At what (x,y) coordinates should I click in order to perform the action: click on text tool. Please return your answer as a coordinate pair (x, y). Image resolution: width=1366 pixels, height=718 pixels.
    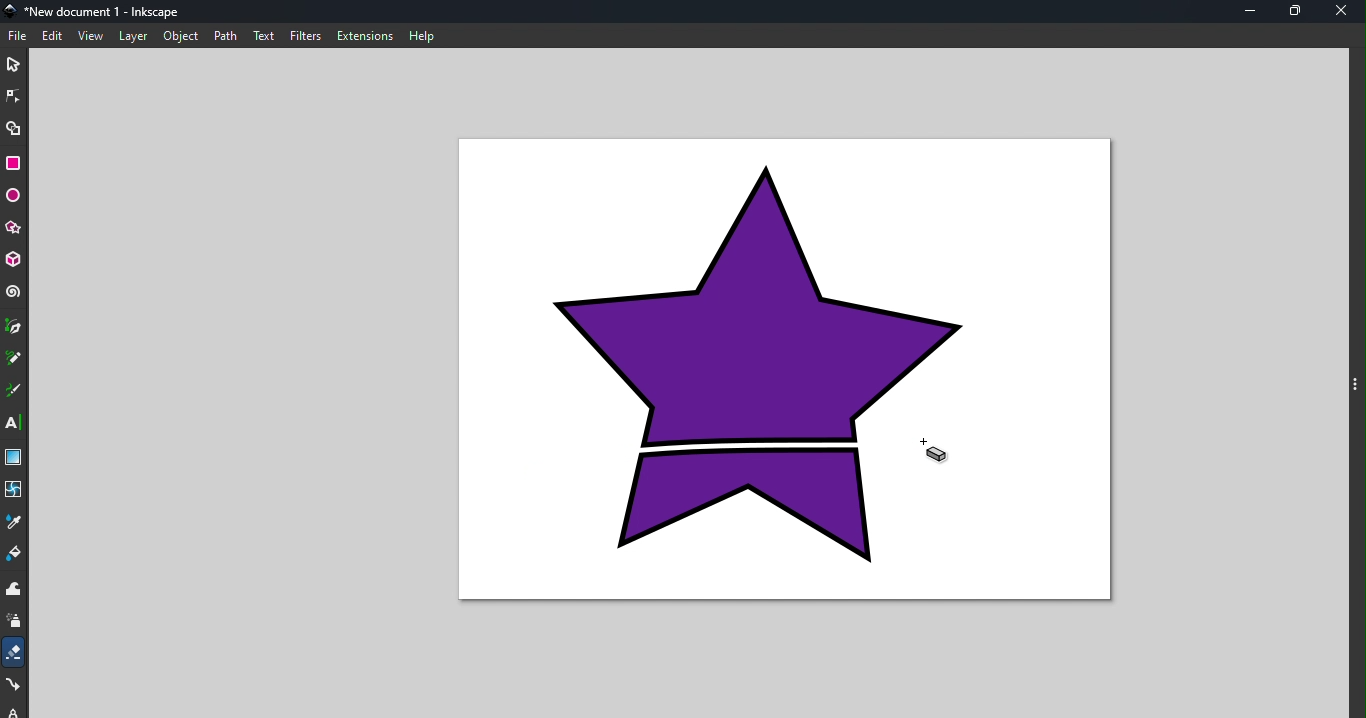
    Looking at the image, I should click on (14, 422).